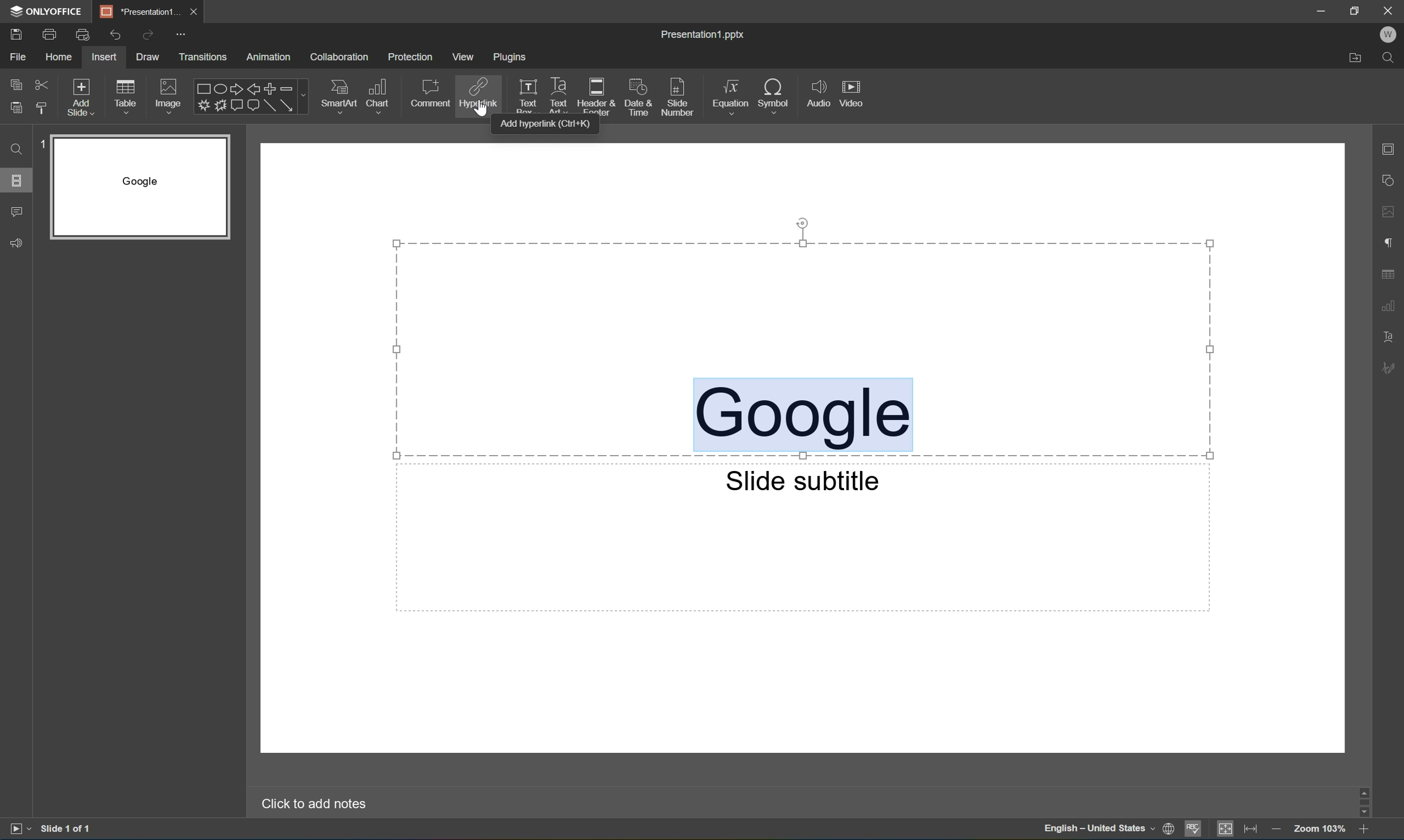 The image size is (1404, 840). What do you see at coordinates (304, 96) in the screenshot?
I see `Drop down` at bounding box center [304, 96].